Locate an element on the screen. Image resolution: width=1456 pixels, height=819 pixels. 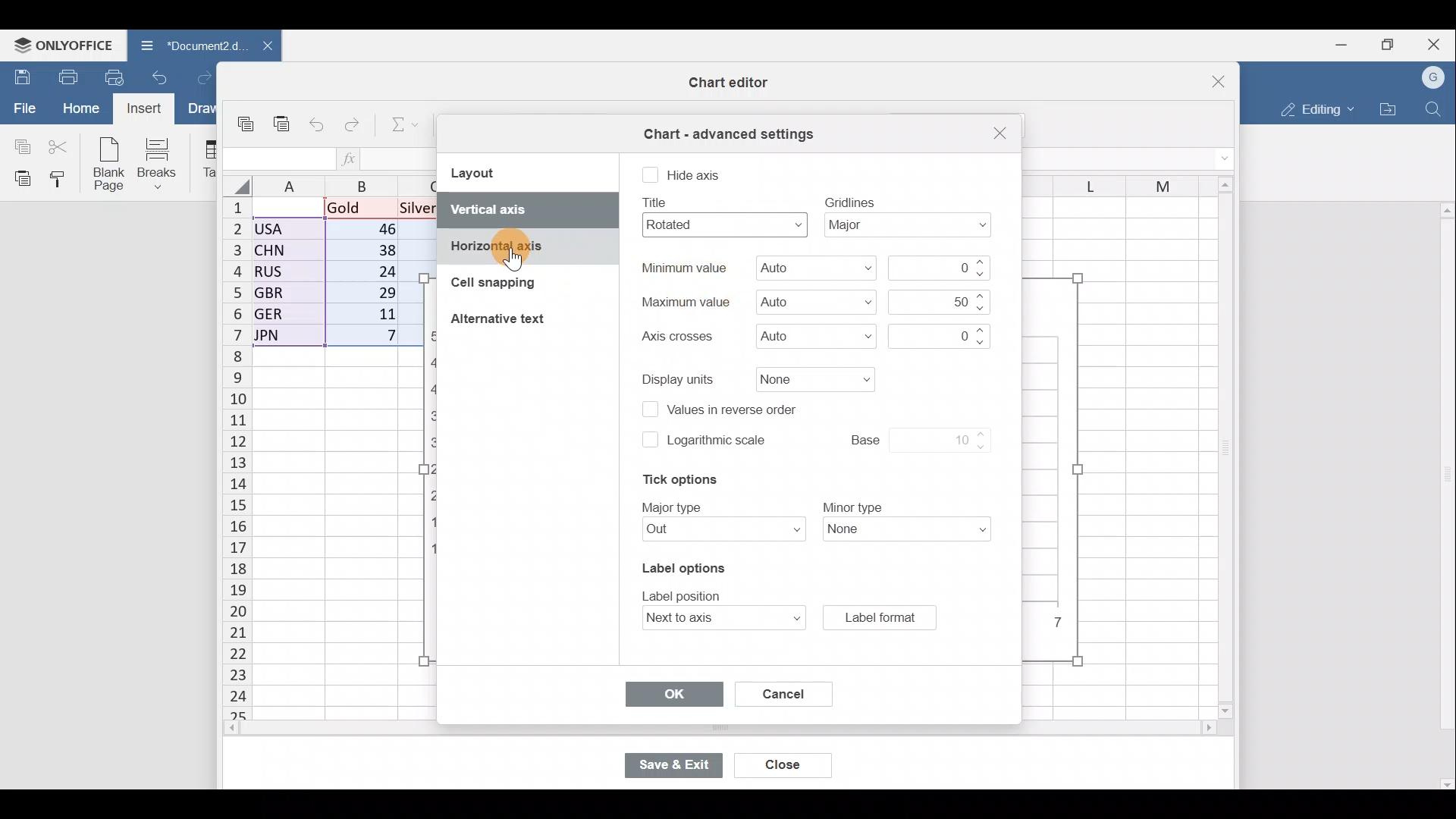
Summation is located at coordinates (397, 127).